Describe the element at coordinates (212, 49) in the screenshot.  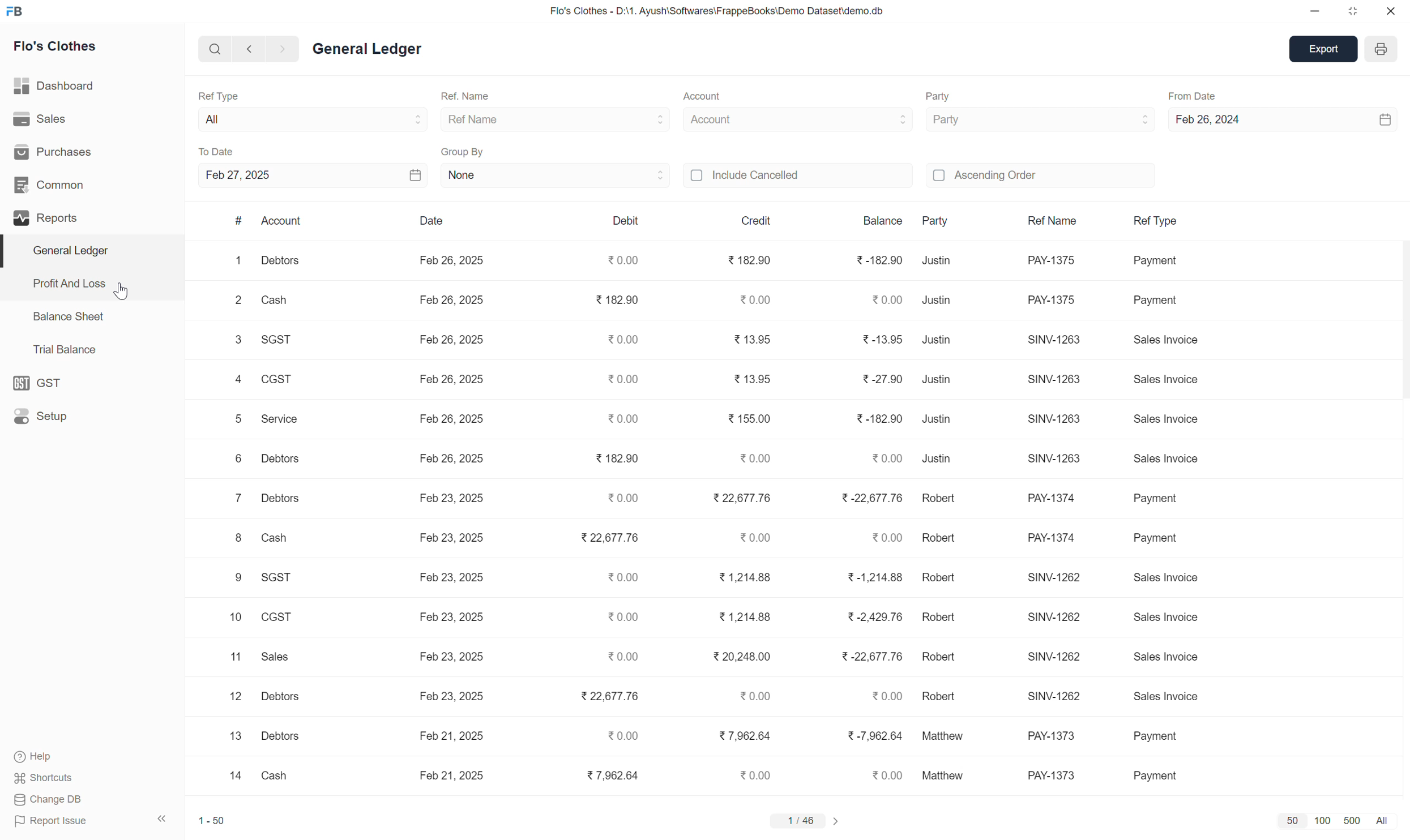
I see `search` at that location.